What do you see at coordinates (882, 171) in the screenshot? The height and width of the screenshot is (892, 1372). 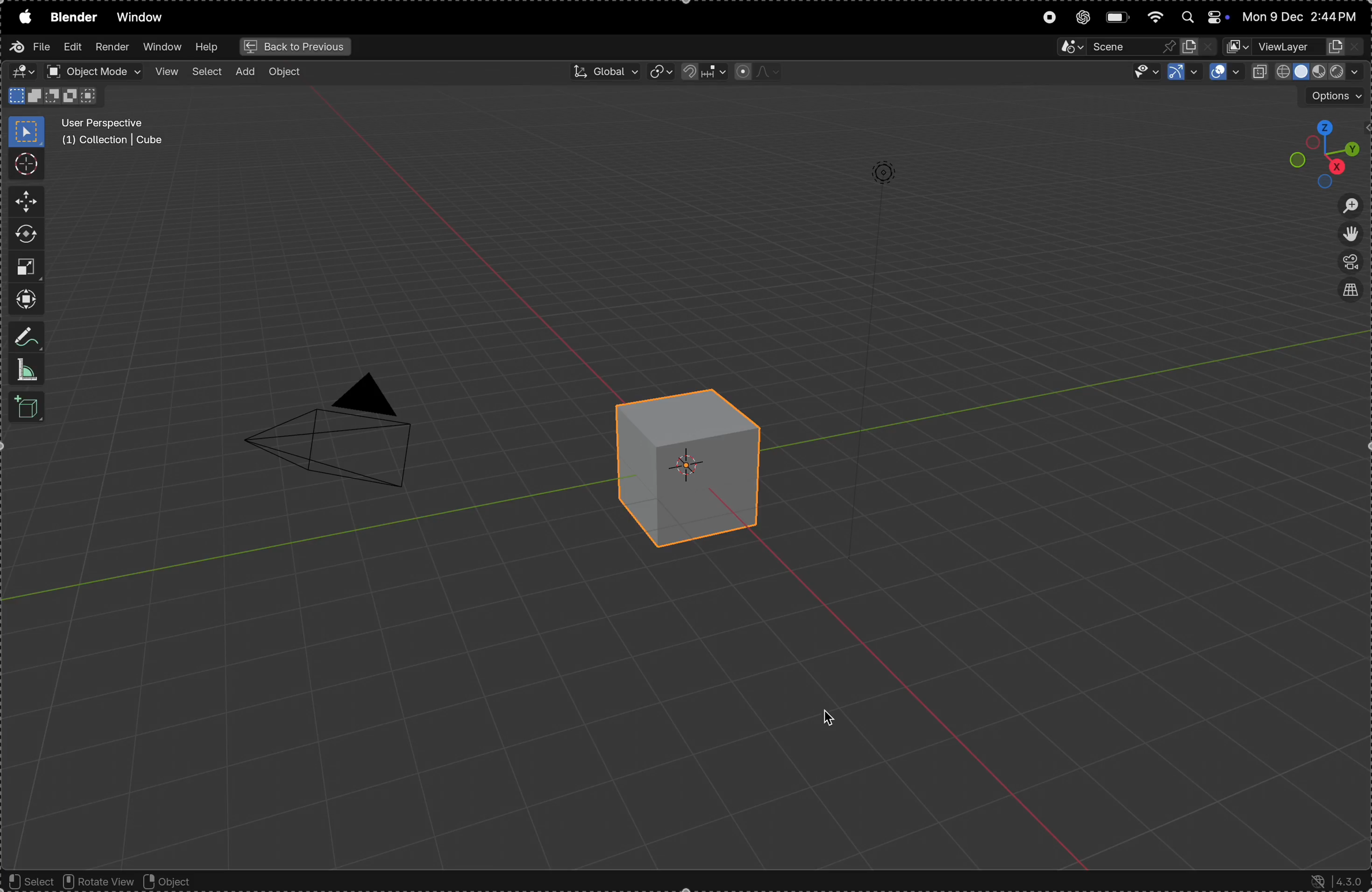 I see `lights` at bounding box center [882, 171].